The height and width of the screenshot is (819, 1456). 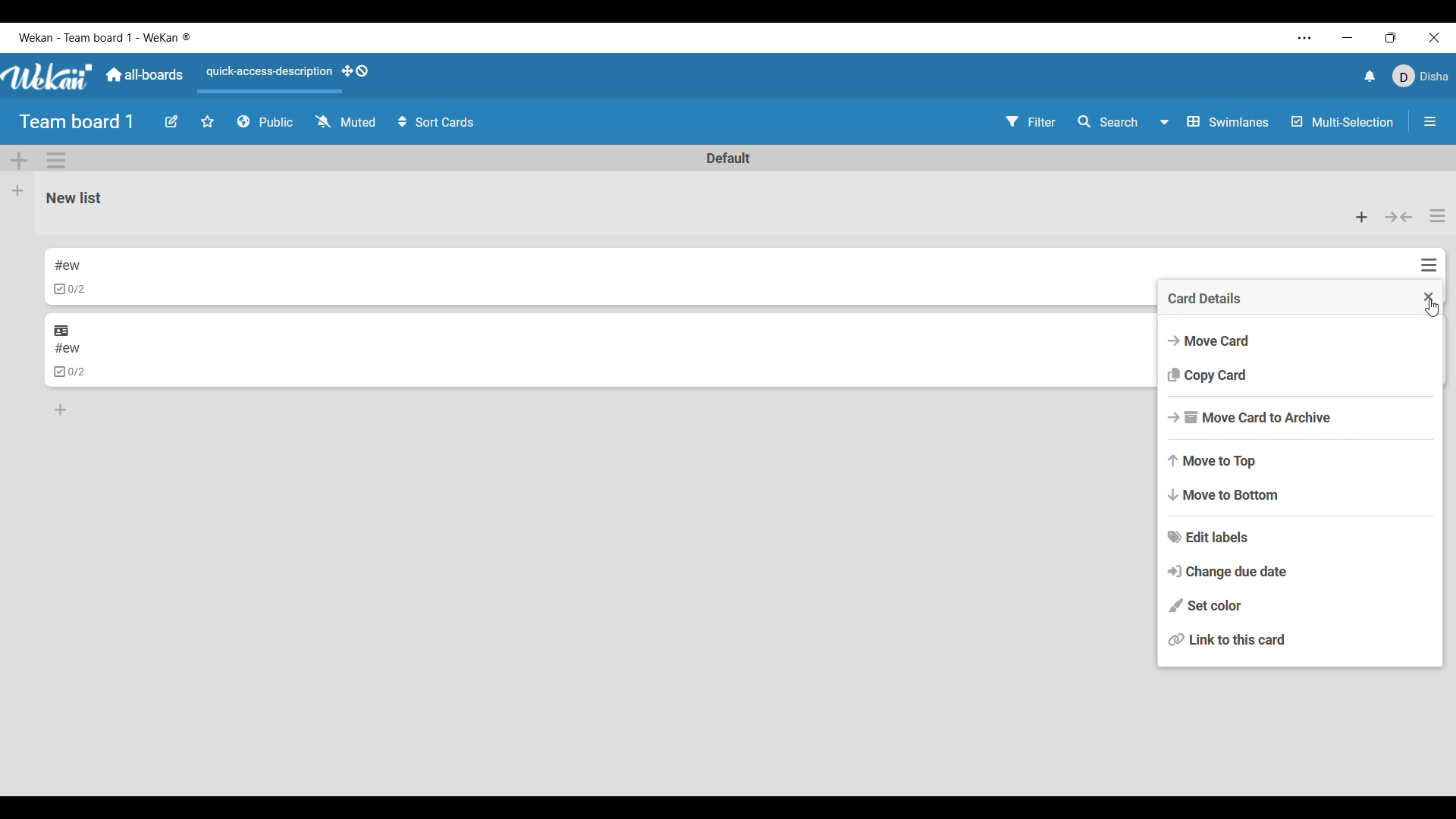 What do you see at coordinates (1301, 340) in the screenshot?
I see `Move card` at bounding box center [1301, 340].